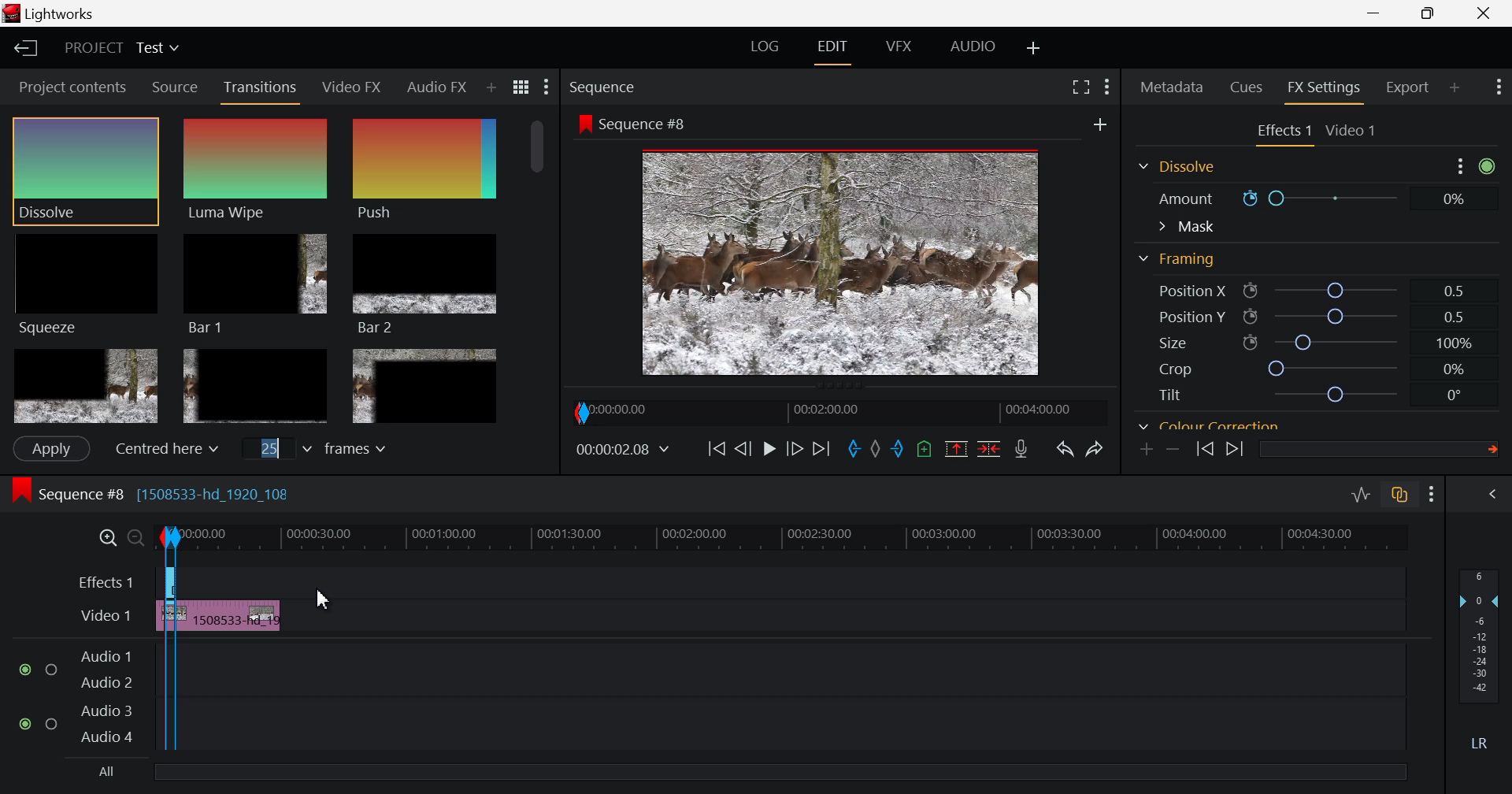  What do you see at coordinates (353, 86) in the screenshot?
I see `Video FX` at bounding box center [353, 86].